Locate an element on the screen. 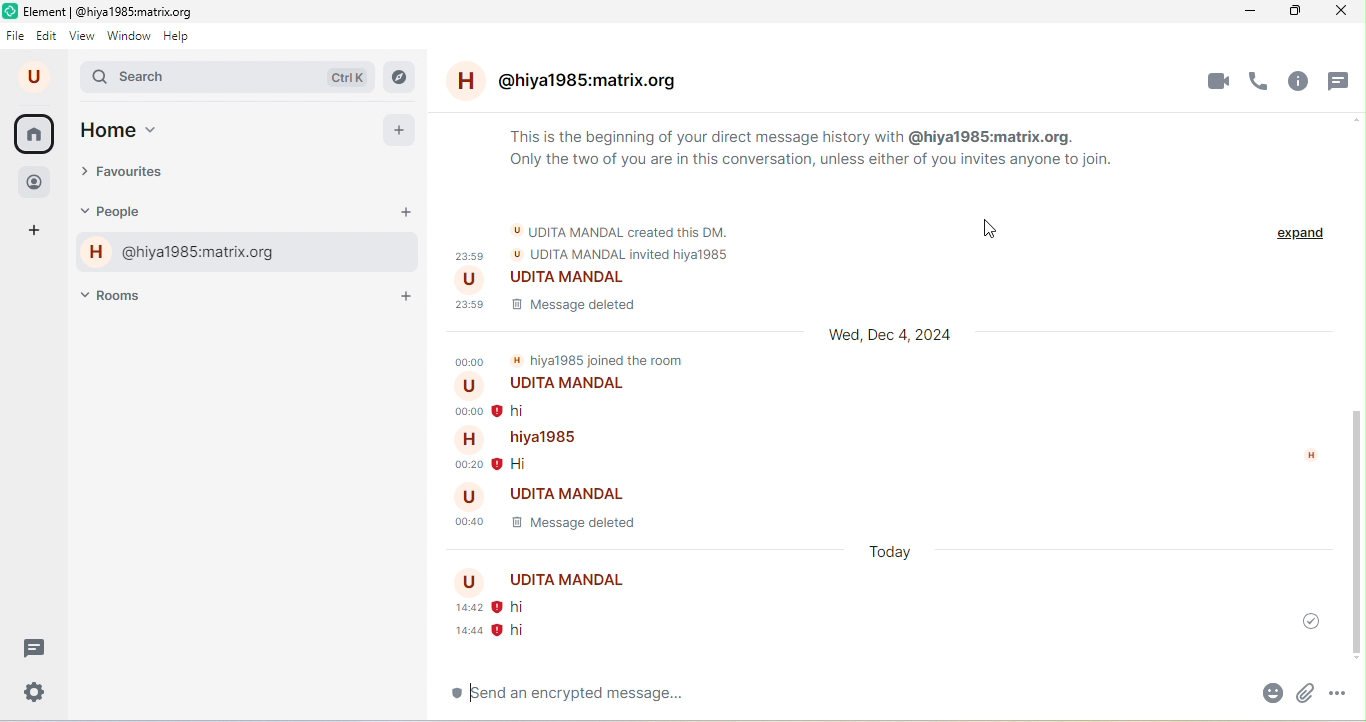 The height and width of the screenshot is (722, 1366). hi is located at coordinates (515, 632).